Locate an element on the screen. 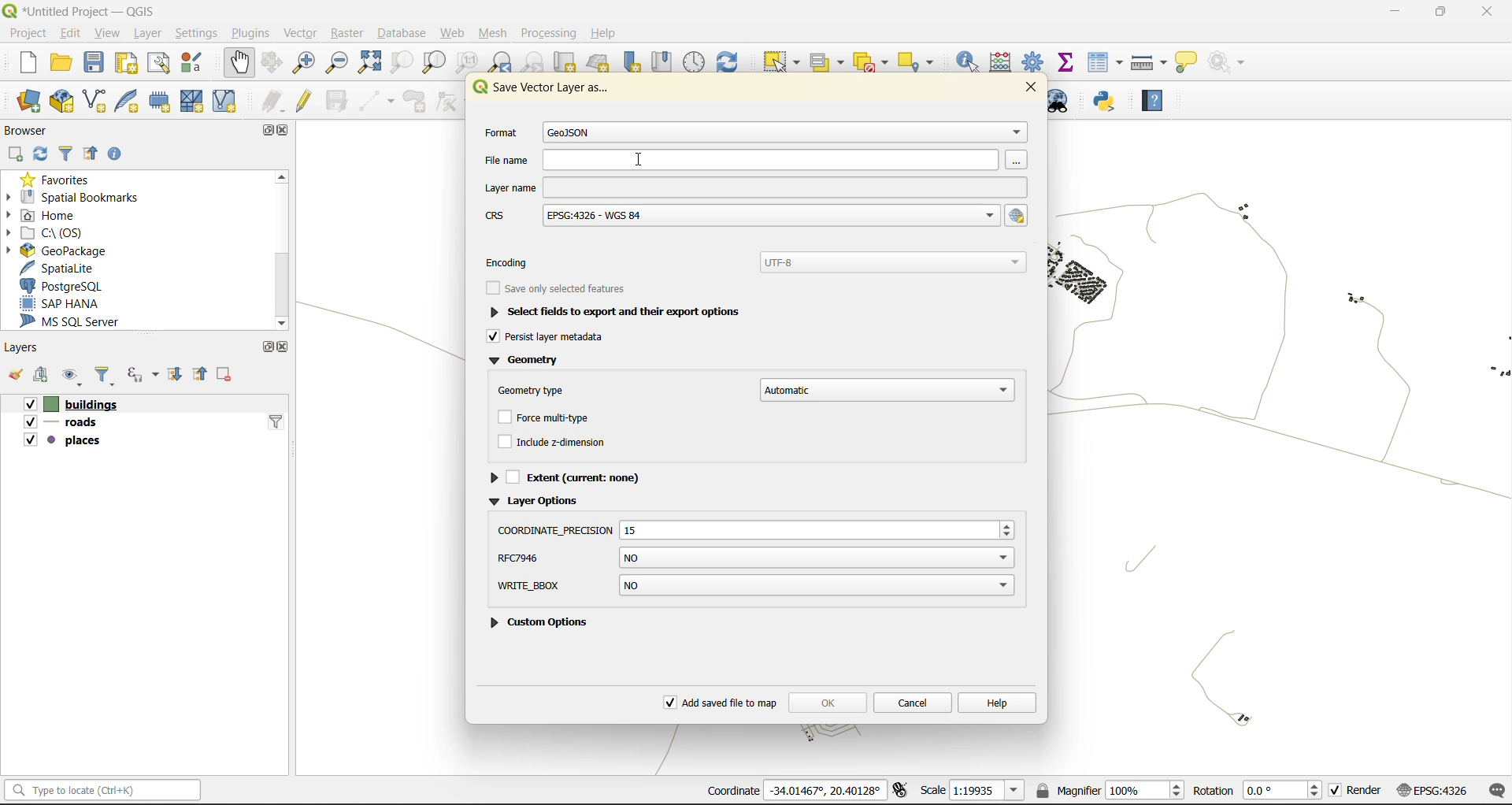 The height and width of the screenshot is (805, 1512). geometry is located at coordinates (525, 362).